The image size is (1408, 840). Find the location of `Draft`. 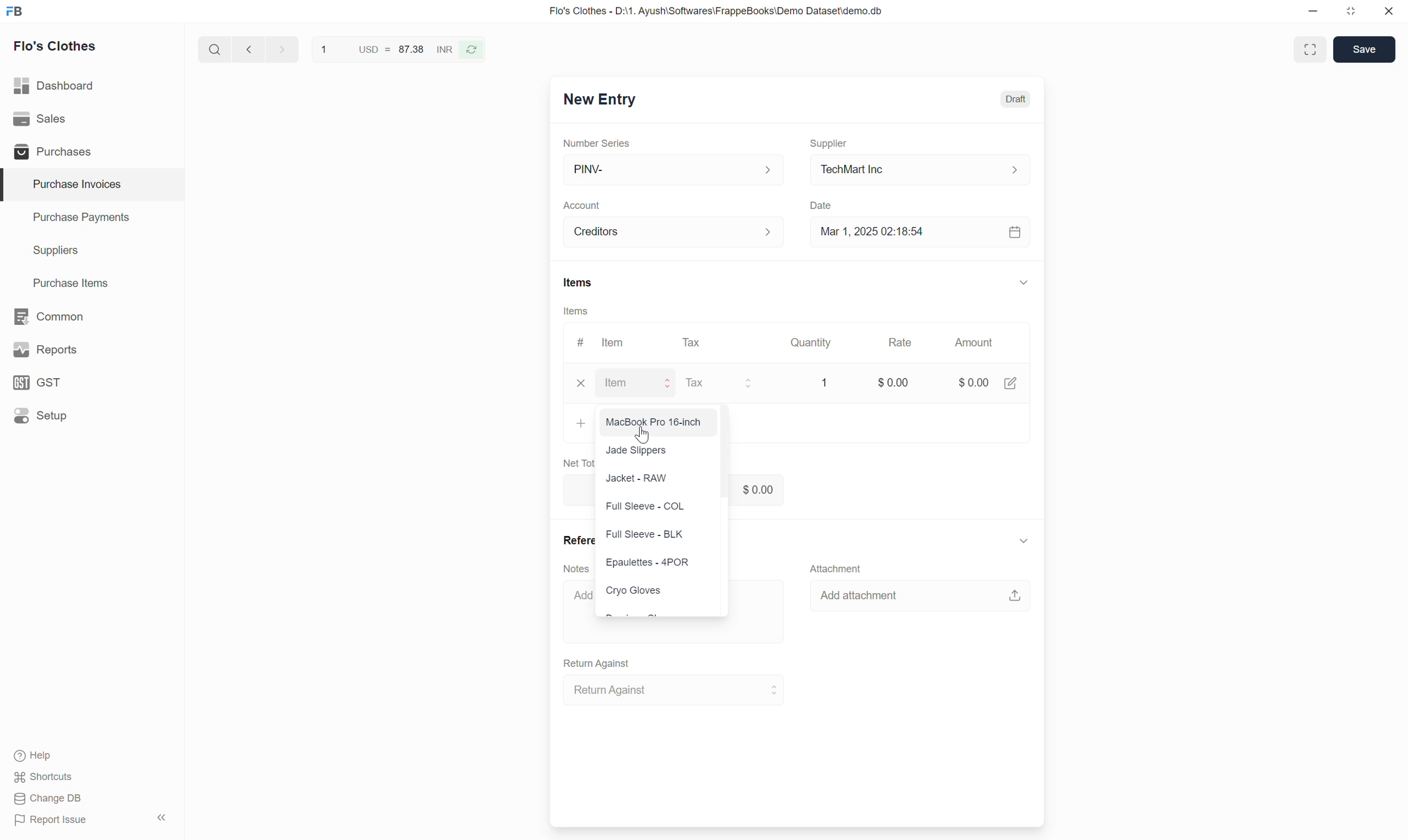

Draft is located at coordinates (1016, 100).